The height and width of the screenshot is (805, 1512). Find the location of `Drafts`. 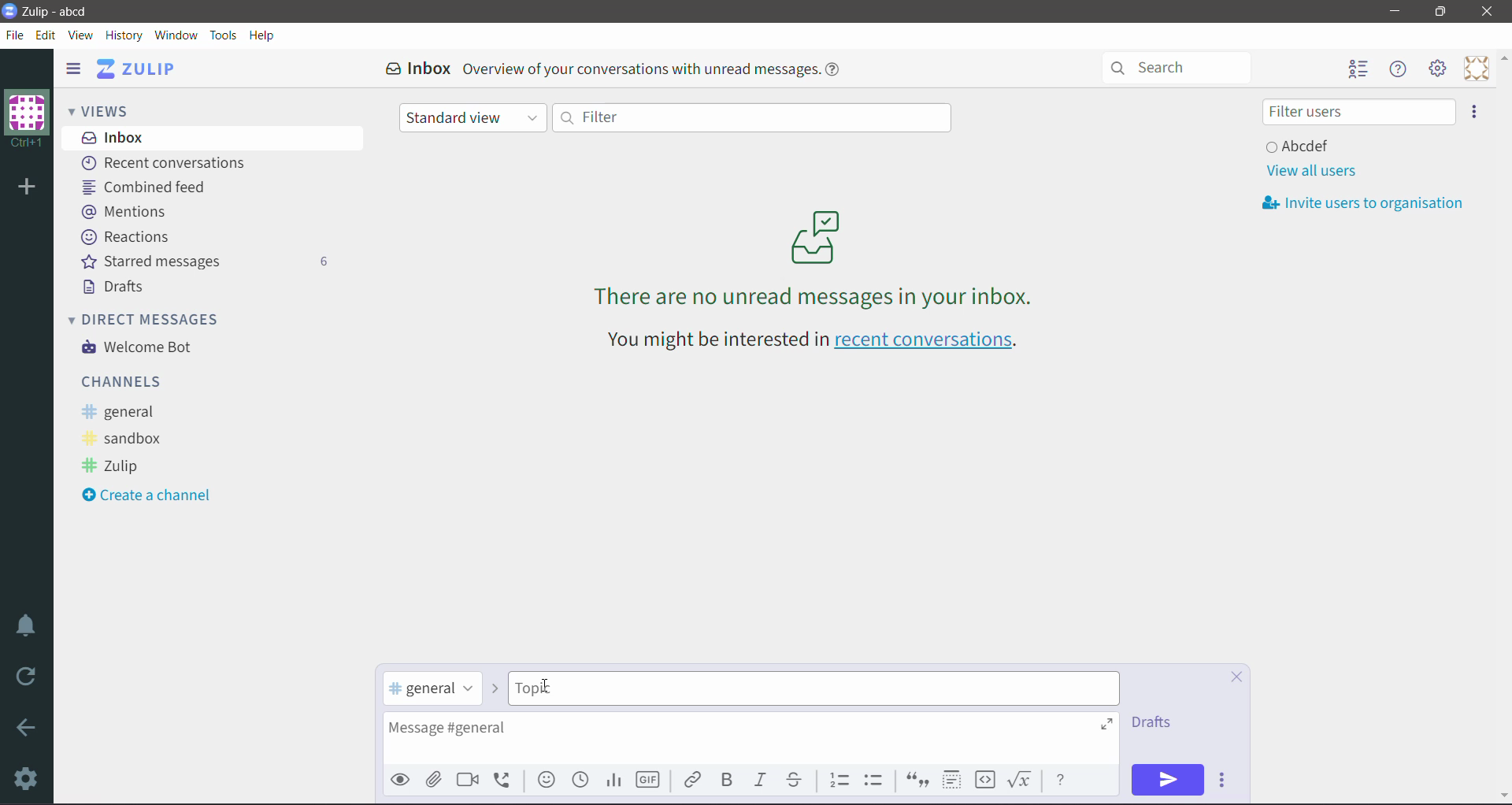

Drafts is located at coordinates (117, 287).